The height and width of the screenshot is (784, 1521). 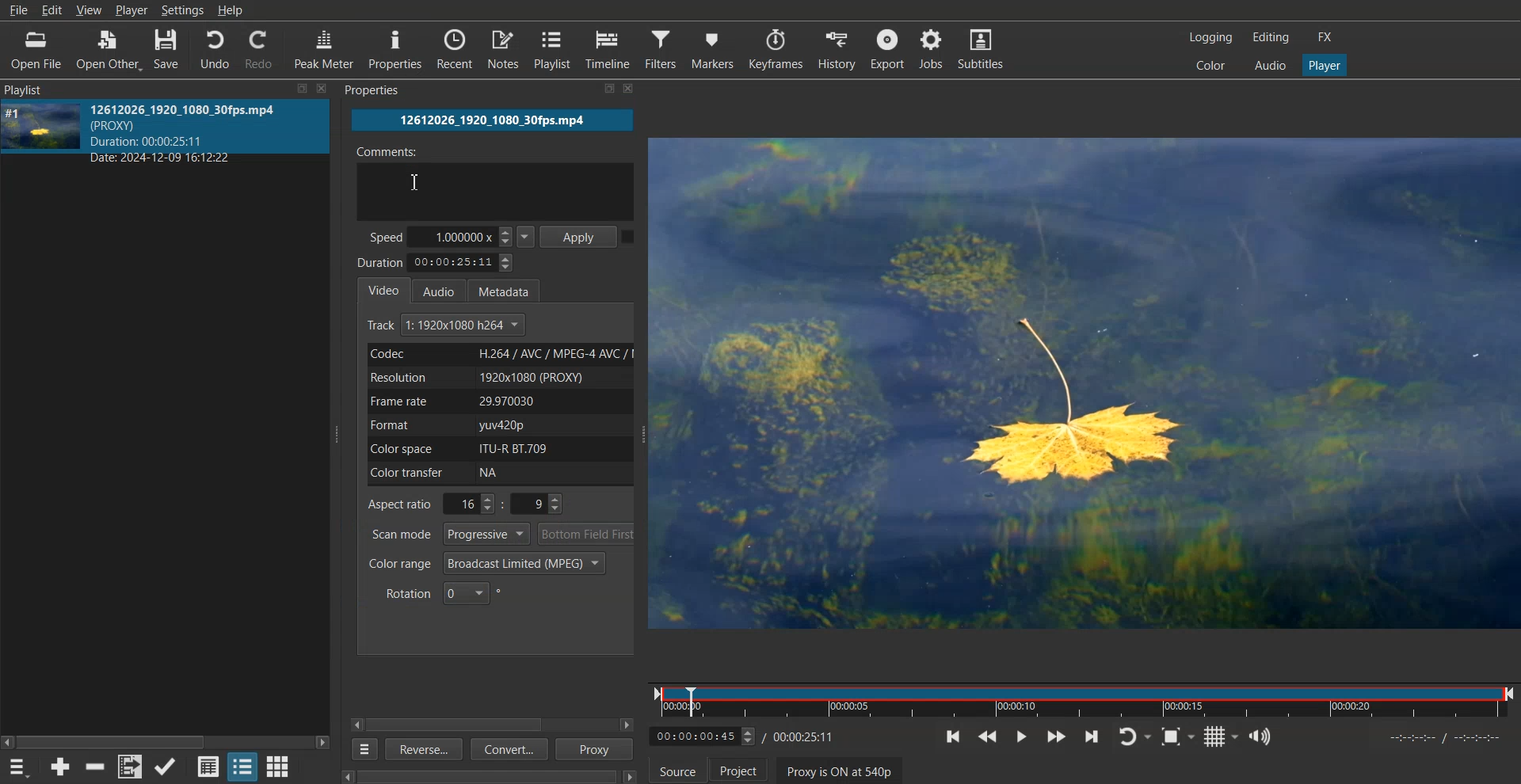 I want to click on Notes, so click(x=503, y=49).